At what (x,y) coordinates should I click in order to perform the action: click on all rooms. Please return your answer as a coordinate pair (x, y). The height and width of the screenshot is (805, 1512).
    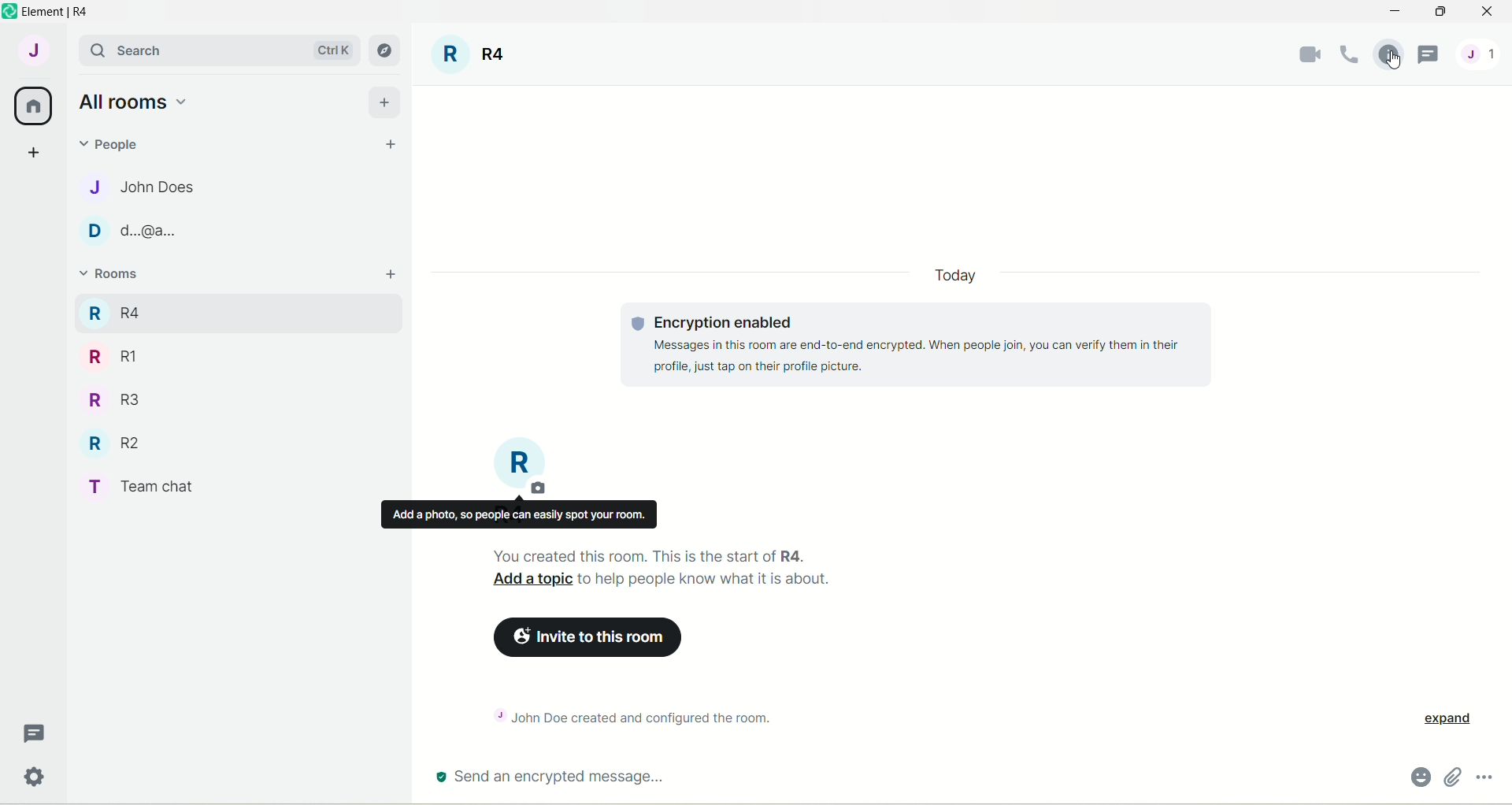
    Looking at the image, I should click on (34, 106).